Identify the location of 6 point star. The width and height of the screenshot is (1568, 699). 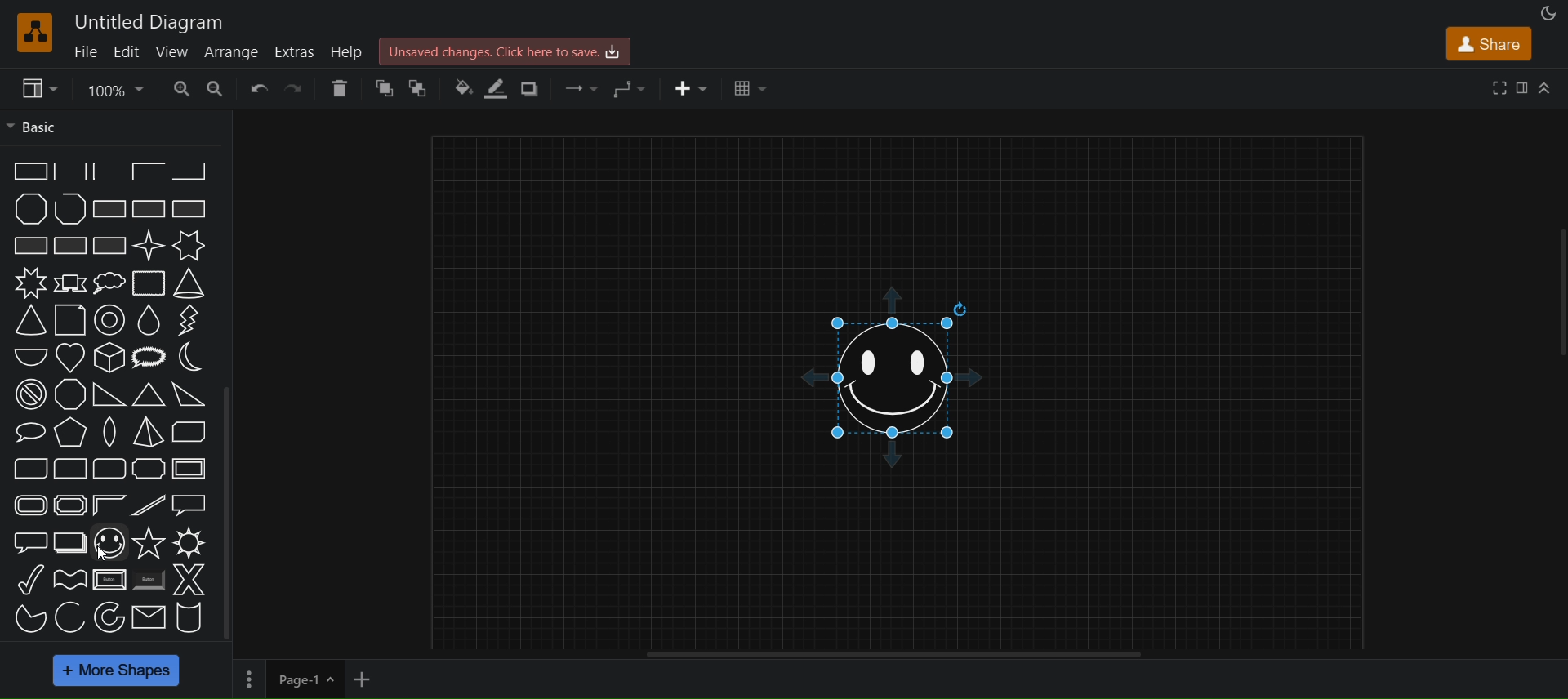
(187, 246).